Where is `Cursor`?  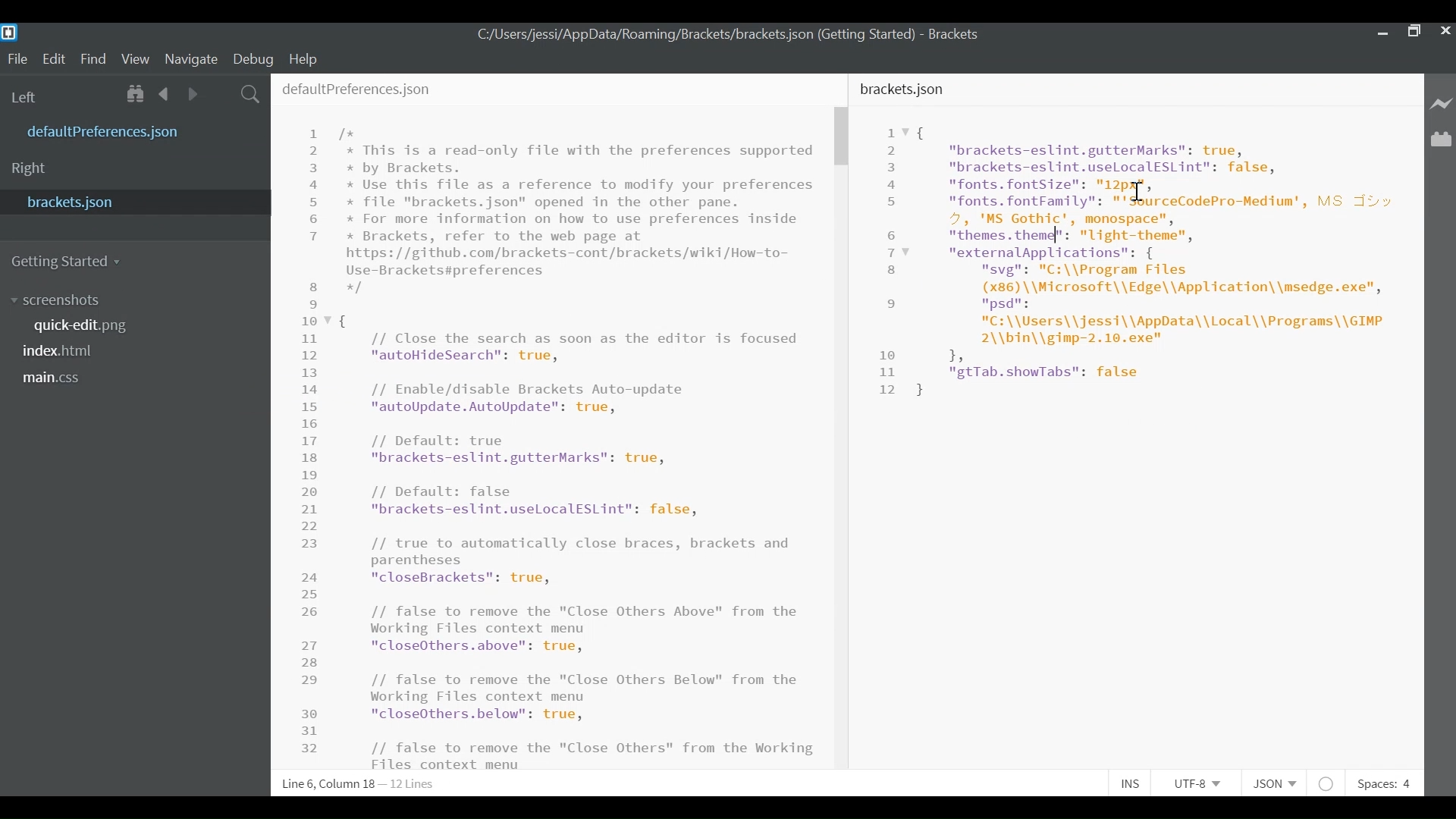
Cursor is located at coordinates (1141, 187).